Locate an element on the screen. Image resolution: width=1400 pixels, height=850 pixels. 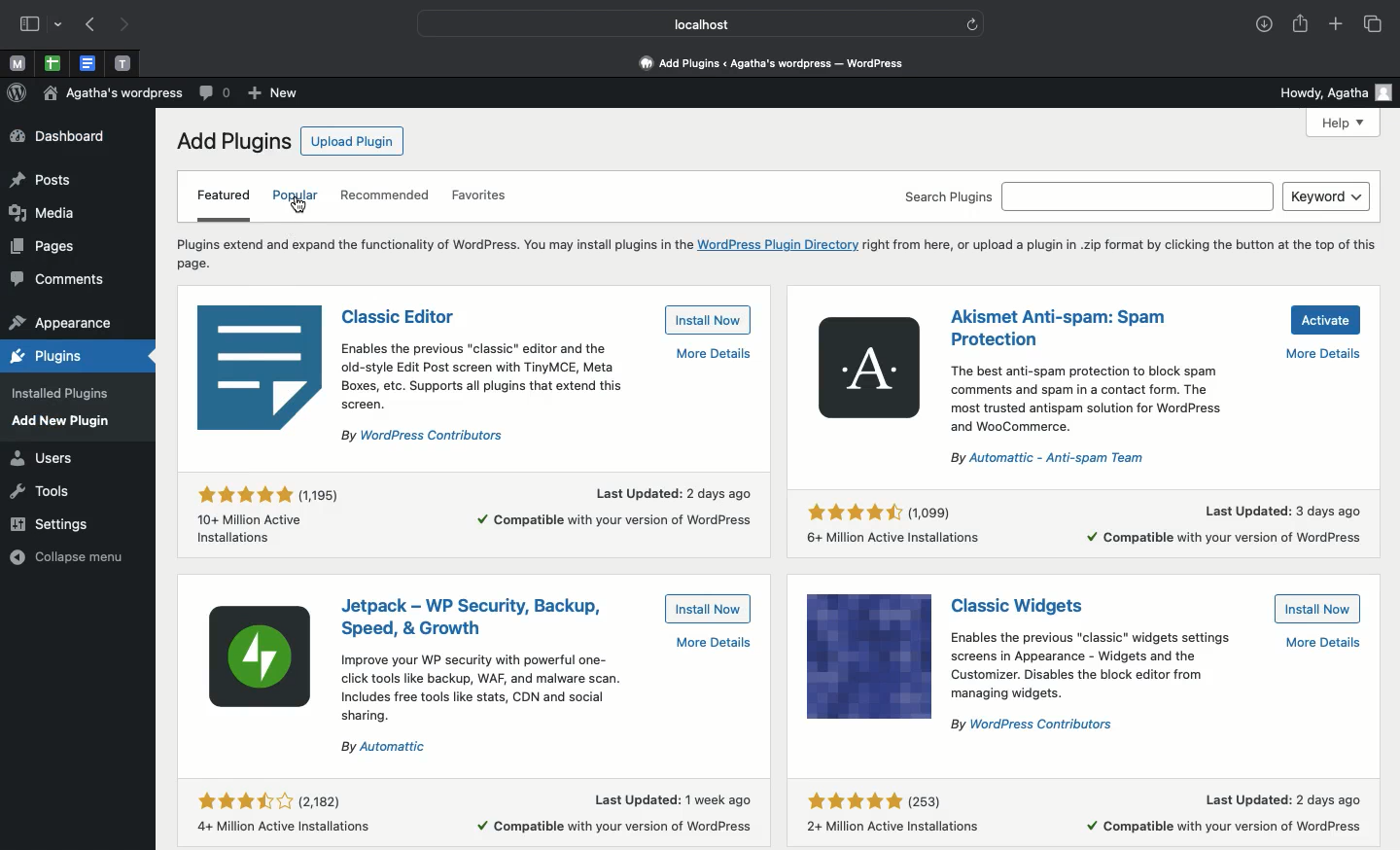
Sidebar is located at coordinates (31, 25).